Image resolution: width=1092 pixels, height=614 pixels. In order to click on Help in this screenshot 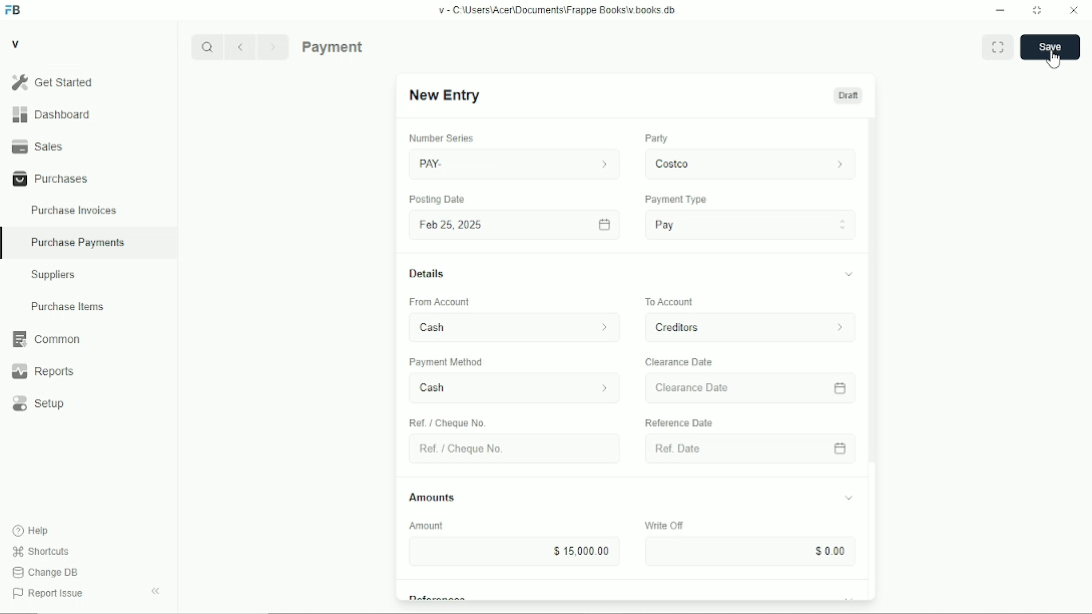, I will do `click(31, 531)`.